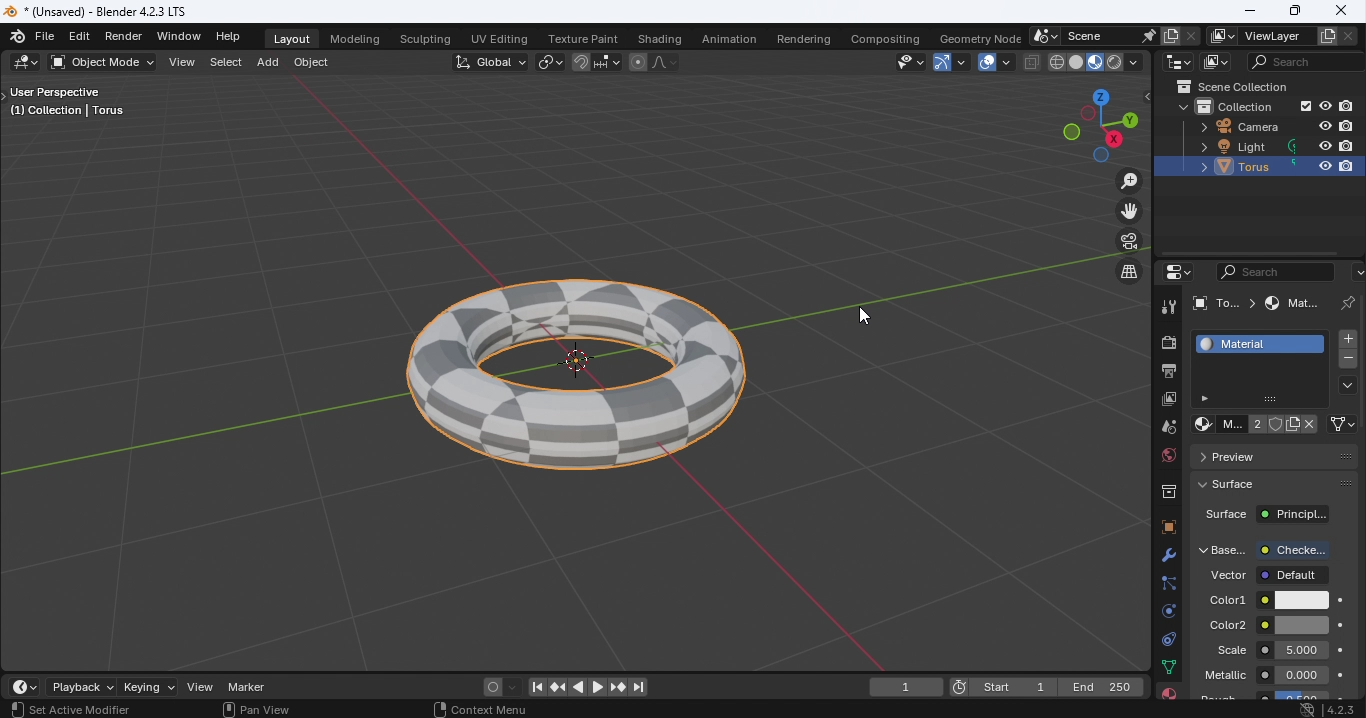 The width and height of the screenshot is (1366, 718). I want to click on User perspective, so click(65, 104).